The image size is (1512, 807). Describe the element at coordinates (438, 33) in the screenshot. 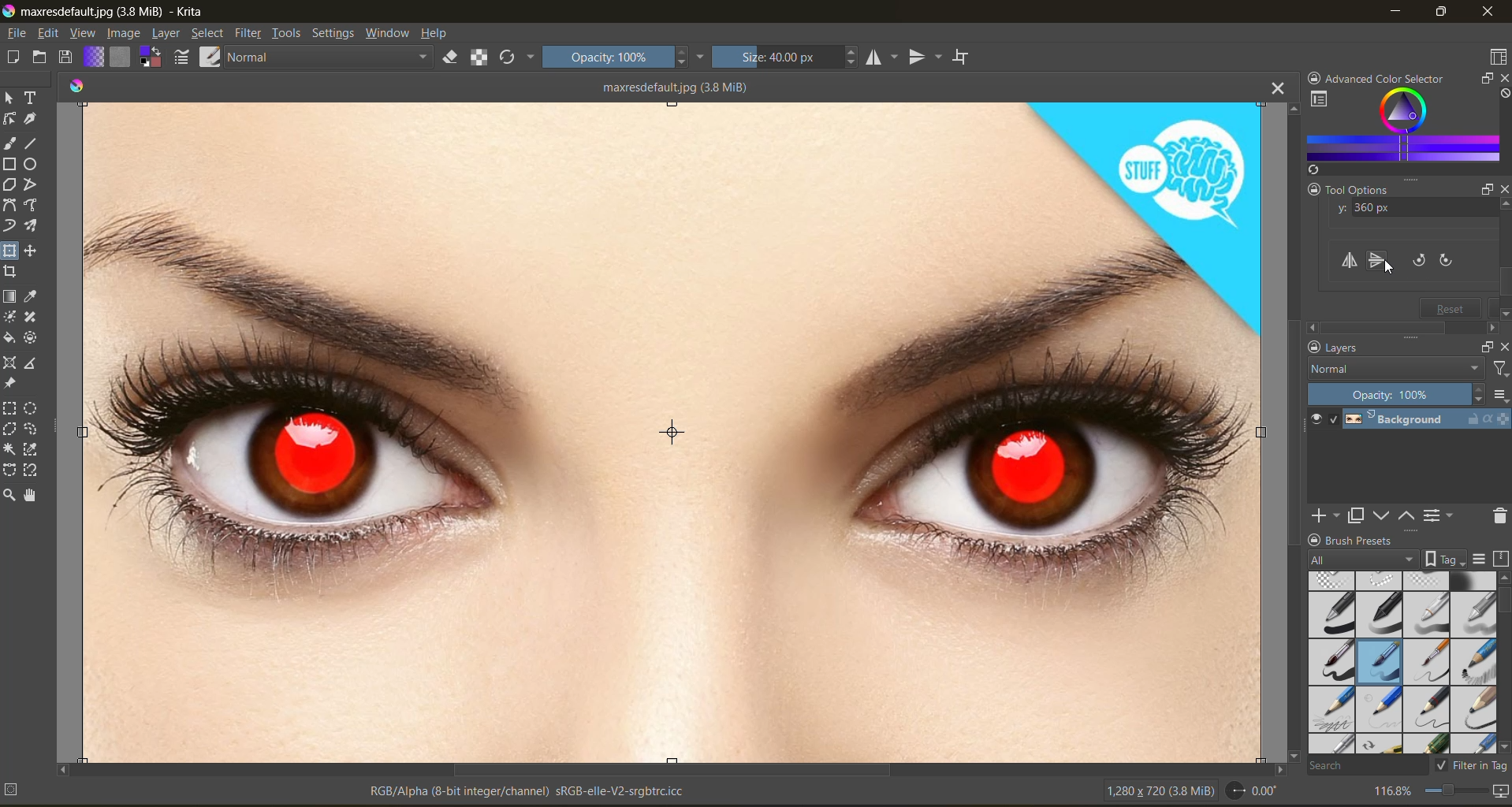

I see `help` at that location.